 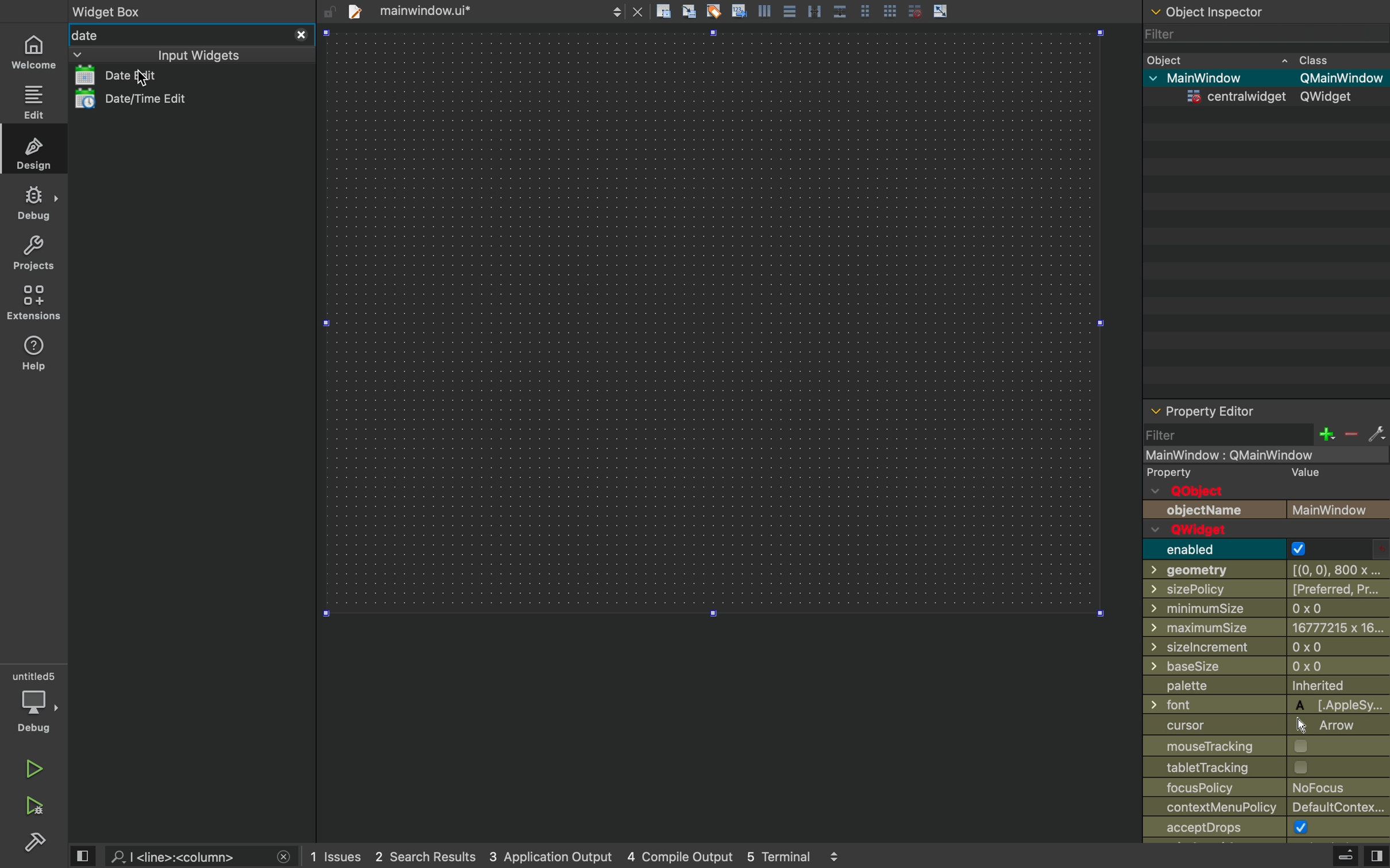 What do you see at coordinates (1326, 434) in the screenshot?
I see `plus` at bounding box center [1326, 434].